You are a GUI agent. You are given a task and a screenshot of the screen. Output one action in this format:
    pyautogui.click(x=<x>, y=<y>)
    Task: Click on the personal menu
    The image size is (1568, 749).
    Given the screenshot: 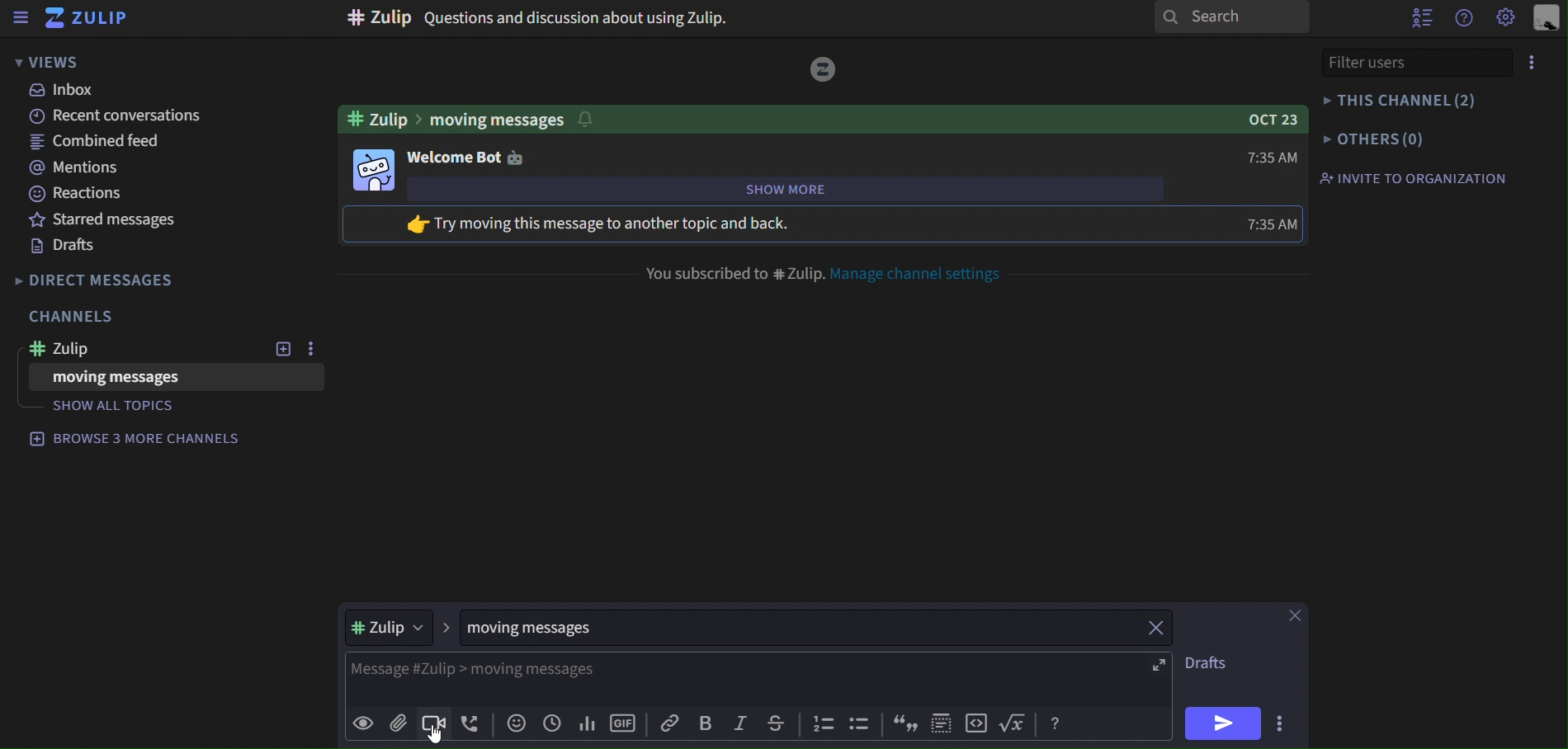 What is the action you would take?
    pyautogui.click(x=1543, y=20)
    